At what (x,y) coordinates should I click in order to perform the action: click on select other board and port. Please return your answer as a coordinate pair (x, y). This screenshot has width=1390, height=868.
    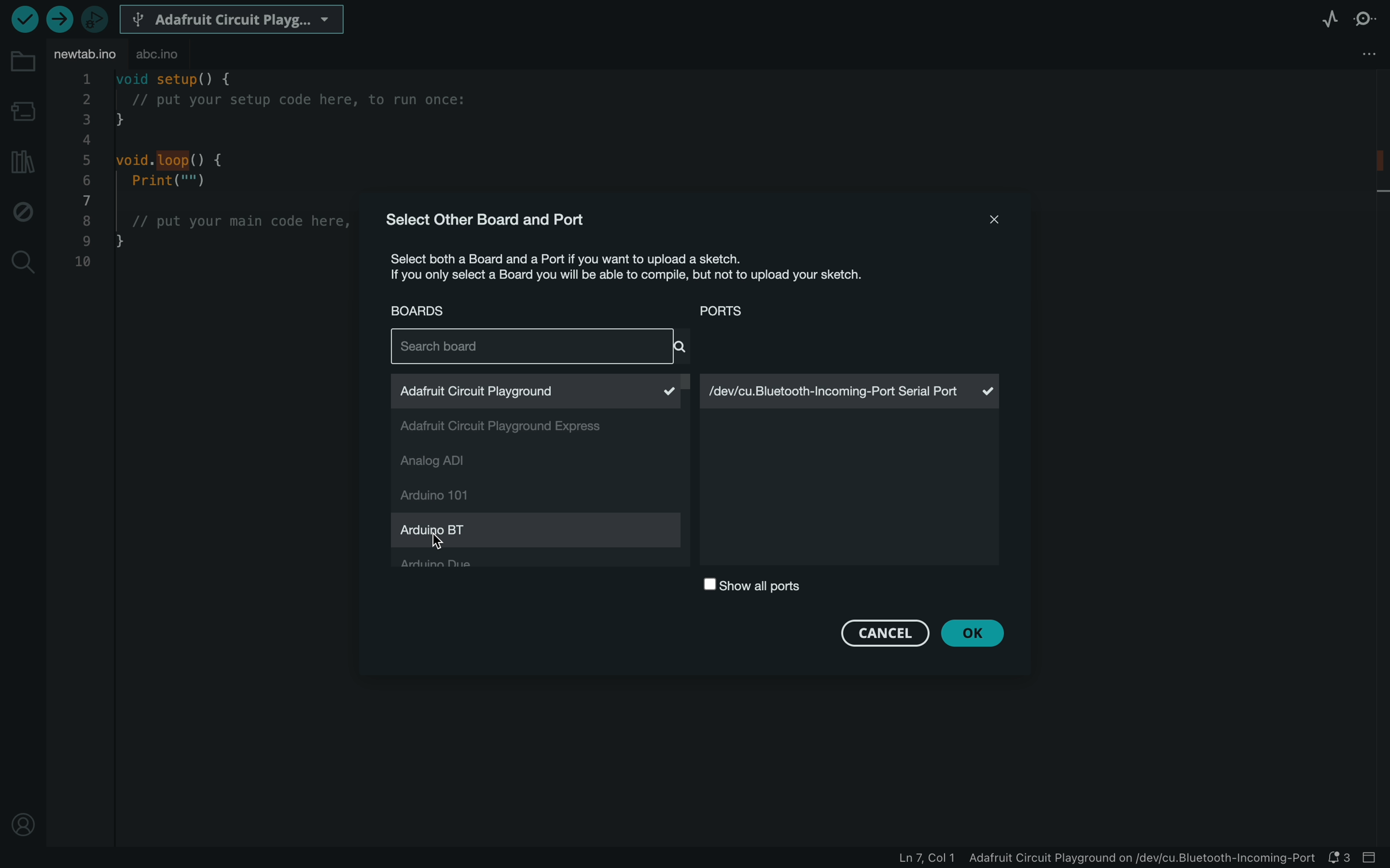
    Looking at the image, I should click on (501, 220).